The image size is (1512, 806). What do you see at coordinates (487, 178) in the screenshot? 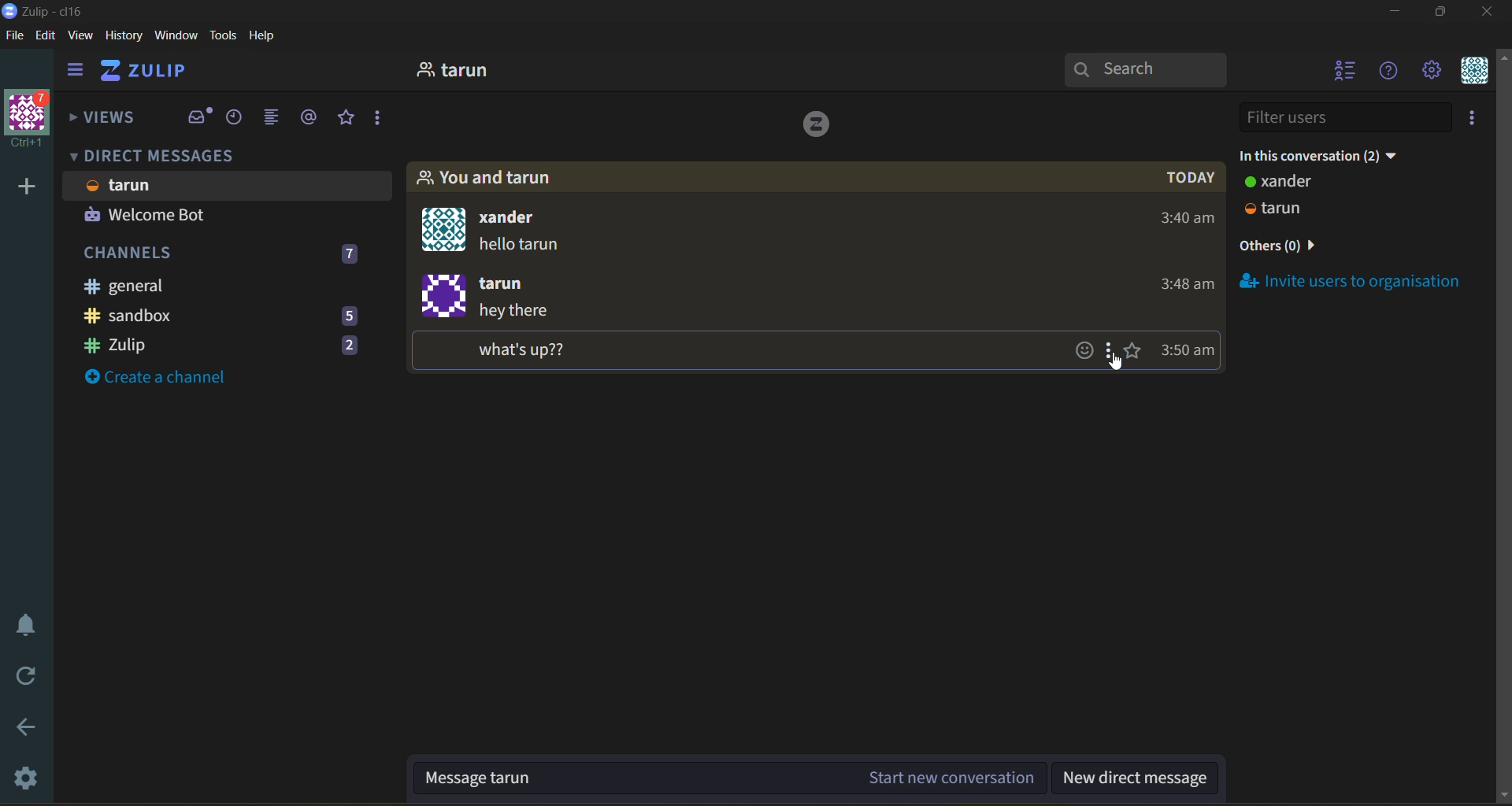
I see `people in conversation` at bounding box center [487, 178].